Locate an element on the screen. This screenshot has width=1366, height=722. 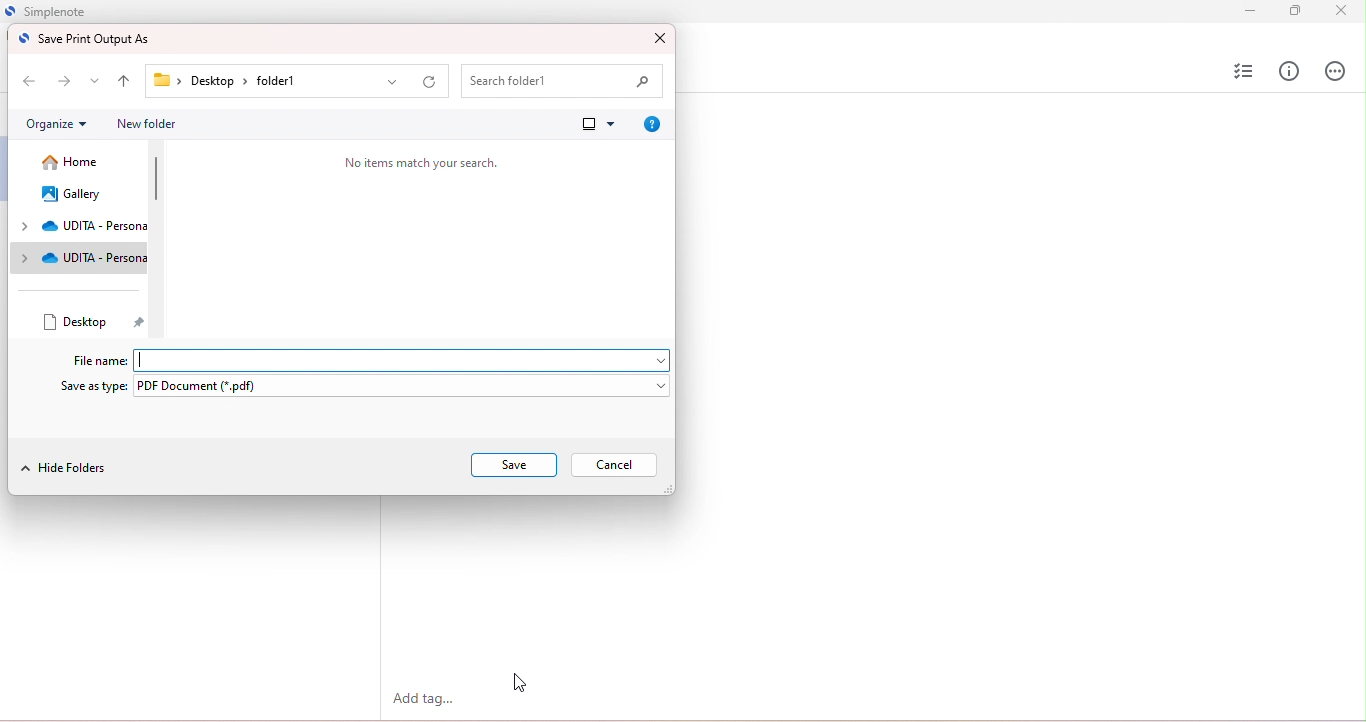
close is located at coordinates (658, 38).